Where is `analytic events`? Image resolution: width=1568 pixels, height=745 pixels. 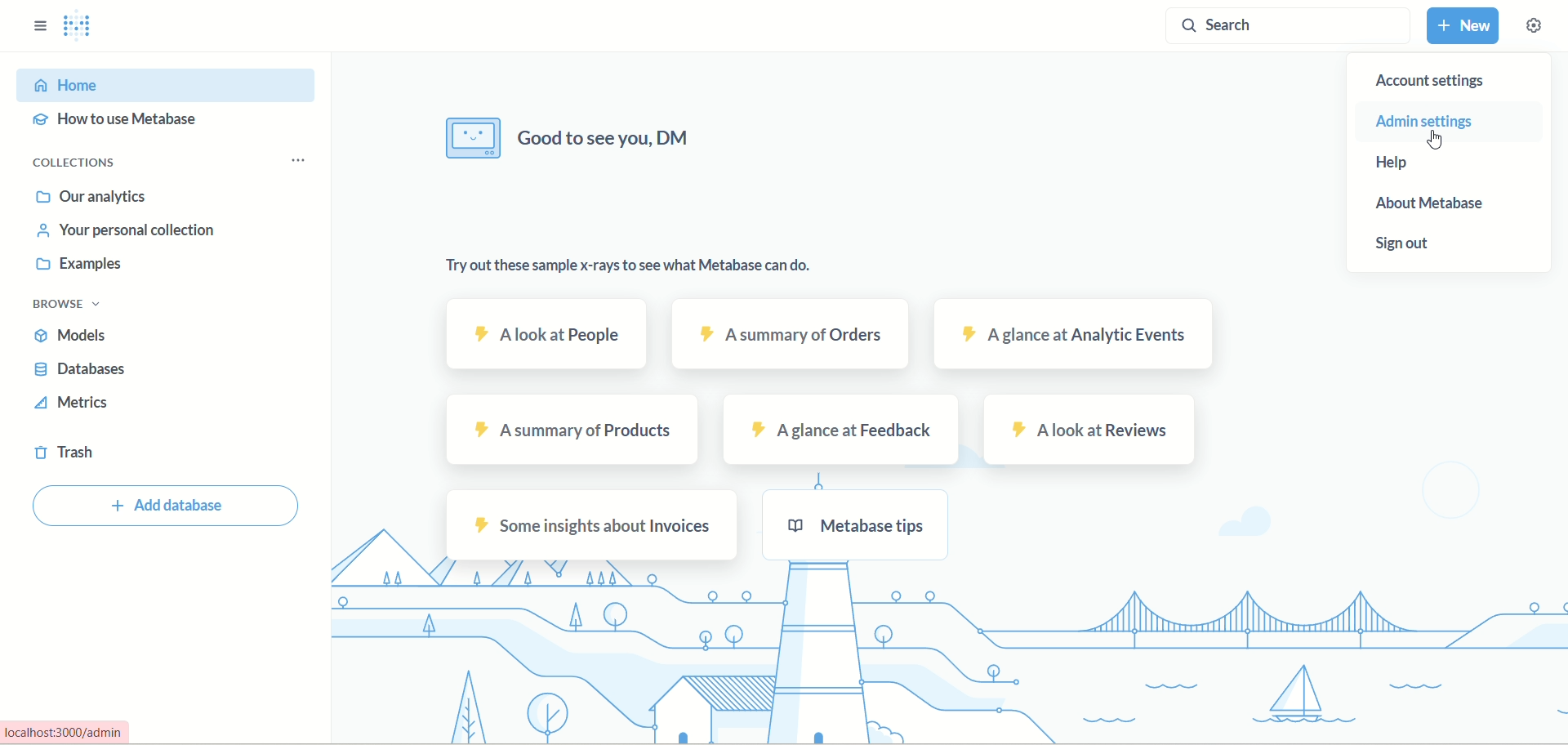 analytic events is located at coordinates (1071, 335).